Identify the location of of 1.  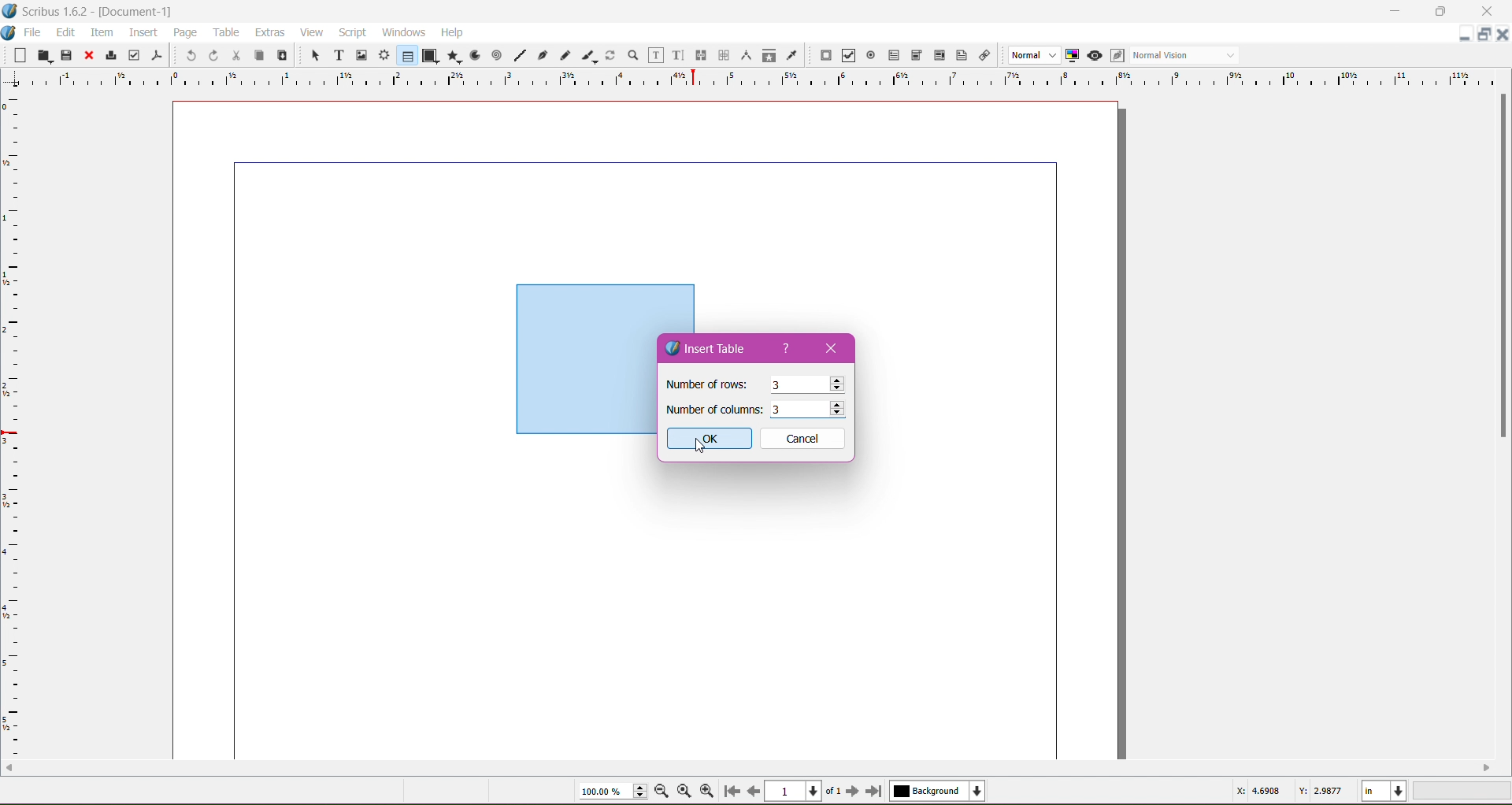
(832, 789).